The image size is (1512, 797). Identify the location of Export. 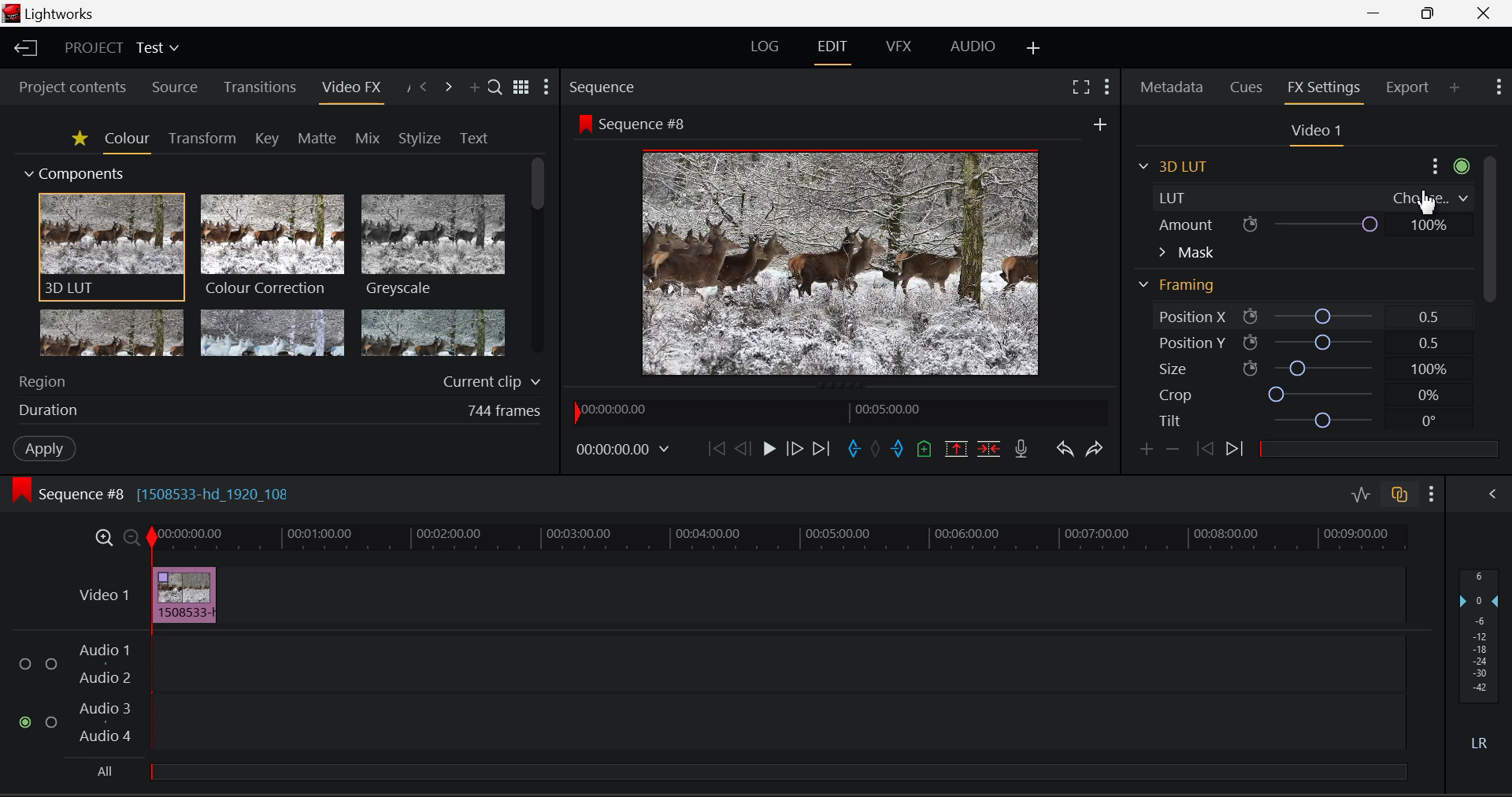
(1405, 90).